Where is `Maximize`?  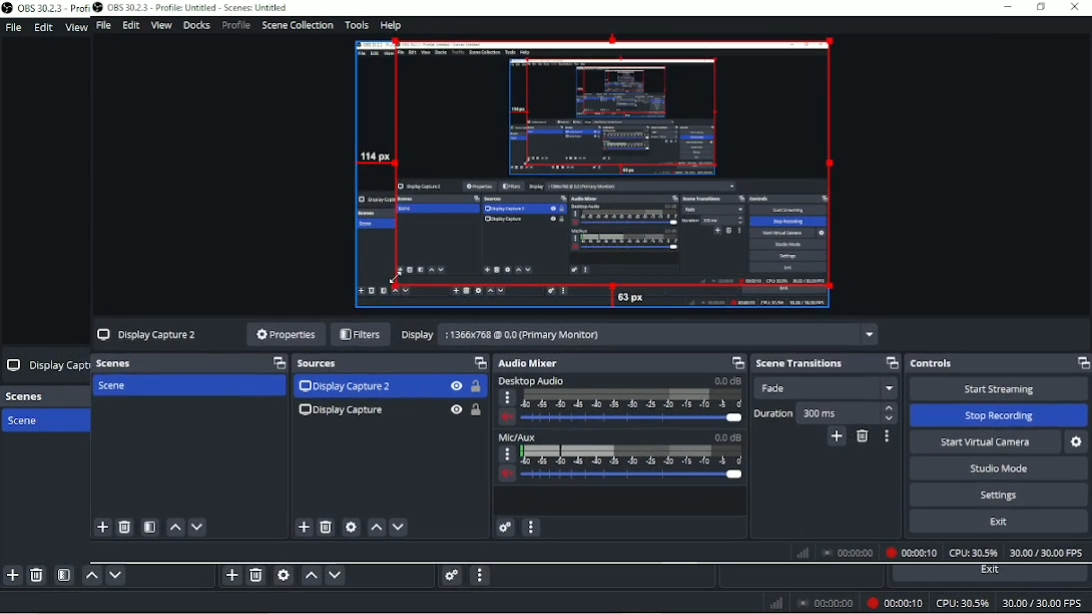
Maximize is located at coordinates (278, 363).